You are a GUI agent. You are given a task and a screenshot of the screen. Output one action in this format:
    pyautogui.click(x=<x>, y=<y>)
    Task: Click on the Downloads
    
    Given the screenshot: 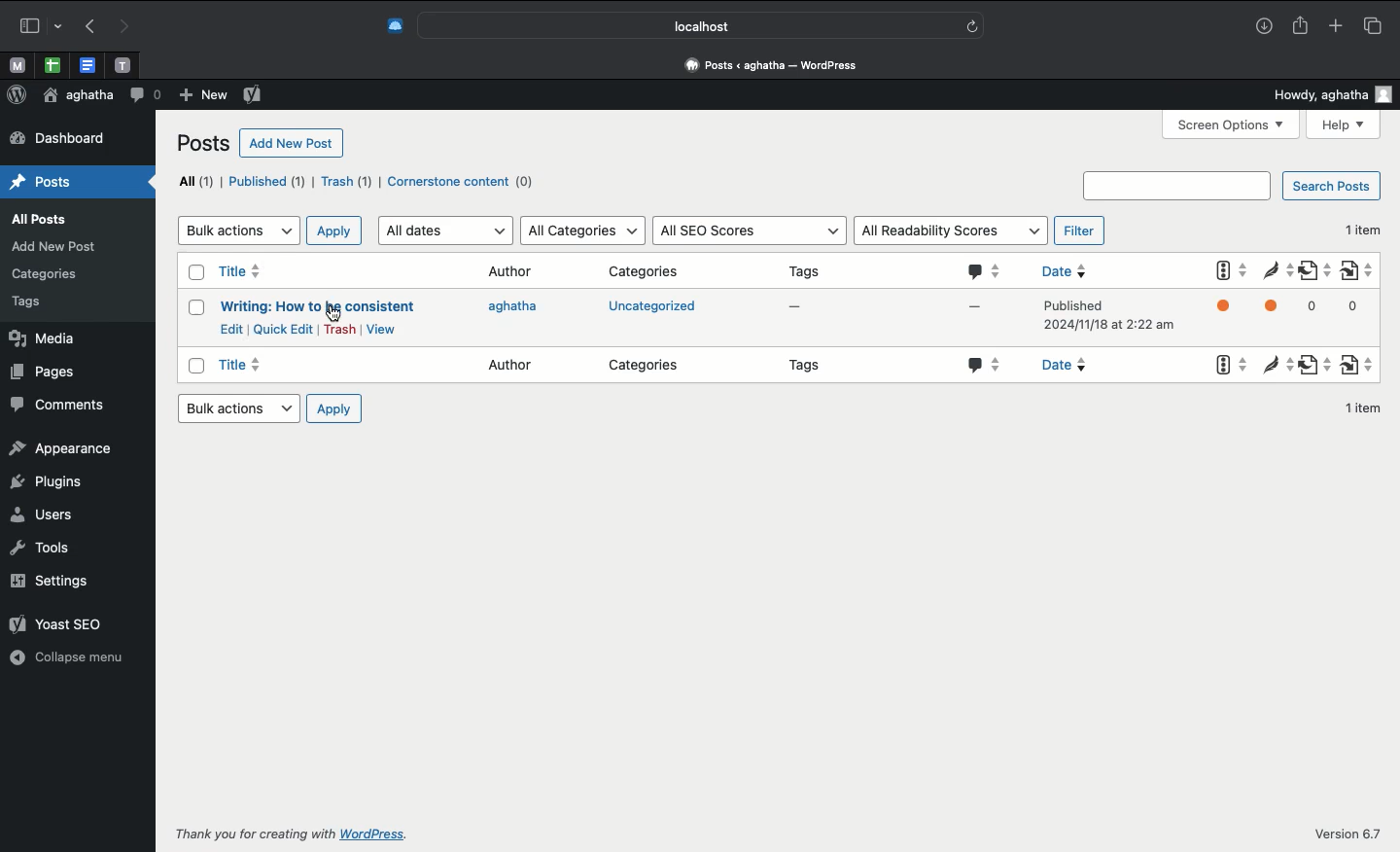 What is the action you would take?
    pyautogui.click(x=1266, y=25)
    